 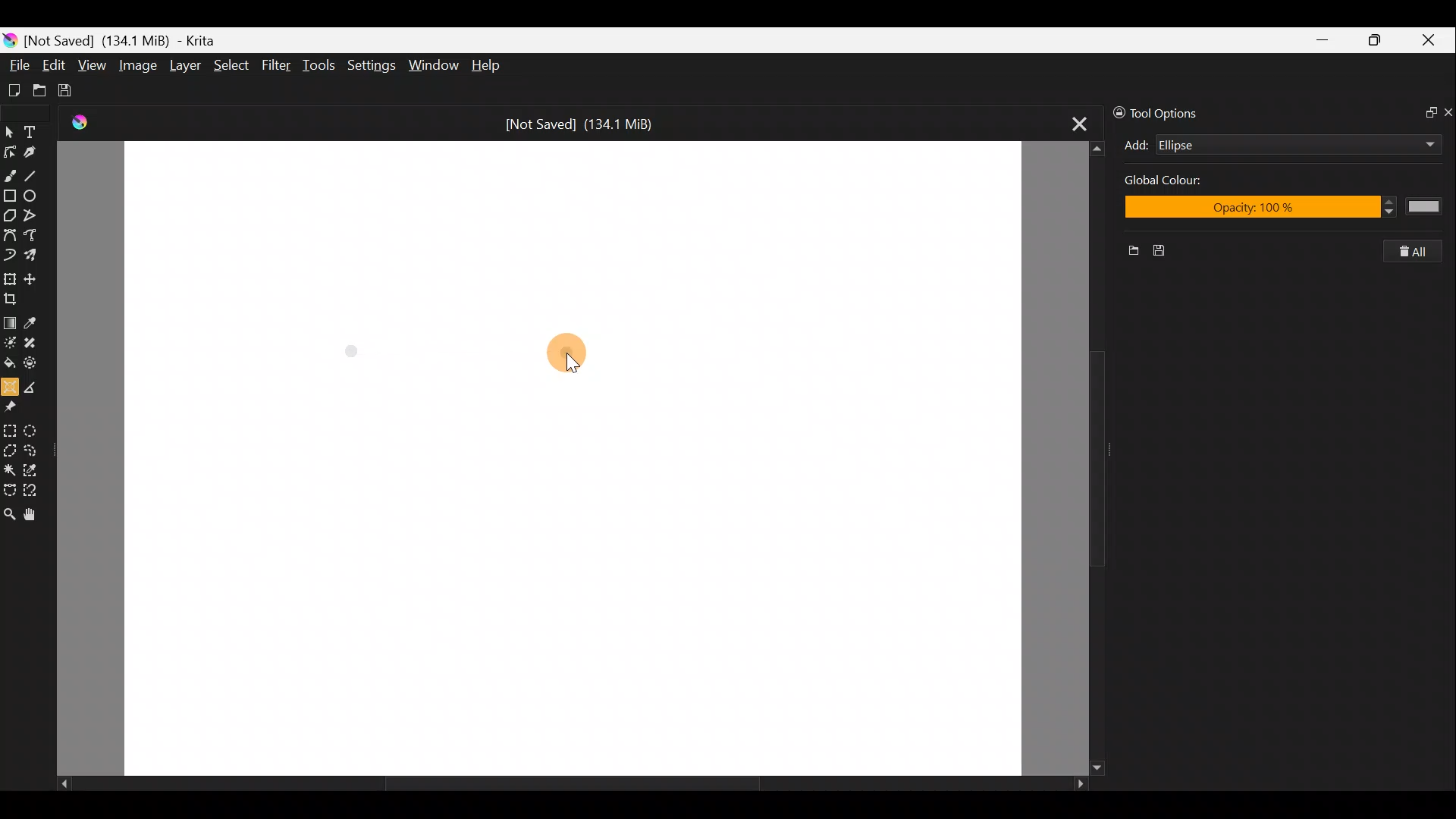 I want to click on Add drop down, so click(x=1416, y=142).